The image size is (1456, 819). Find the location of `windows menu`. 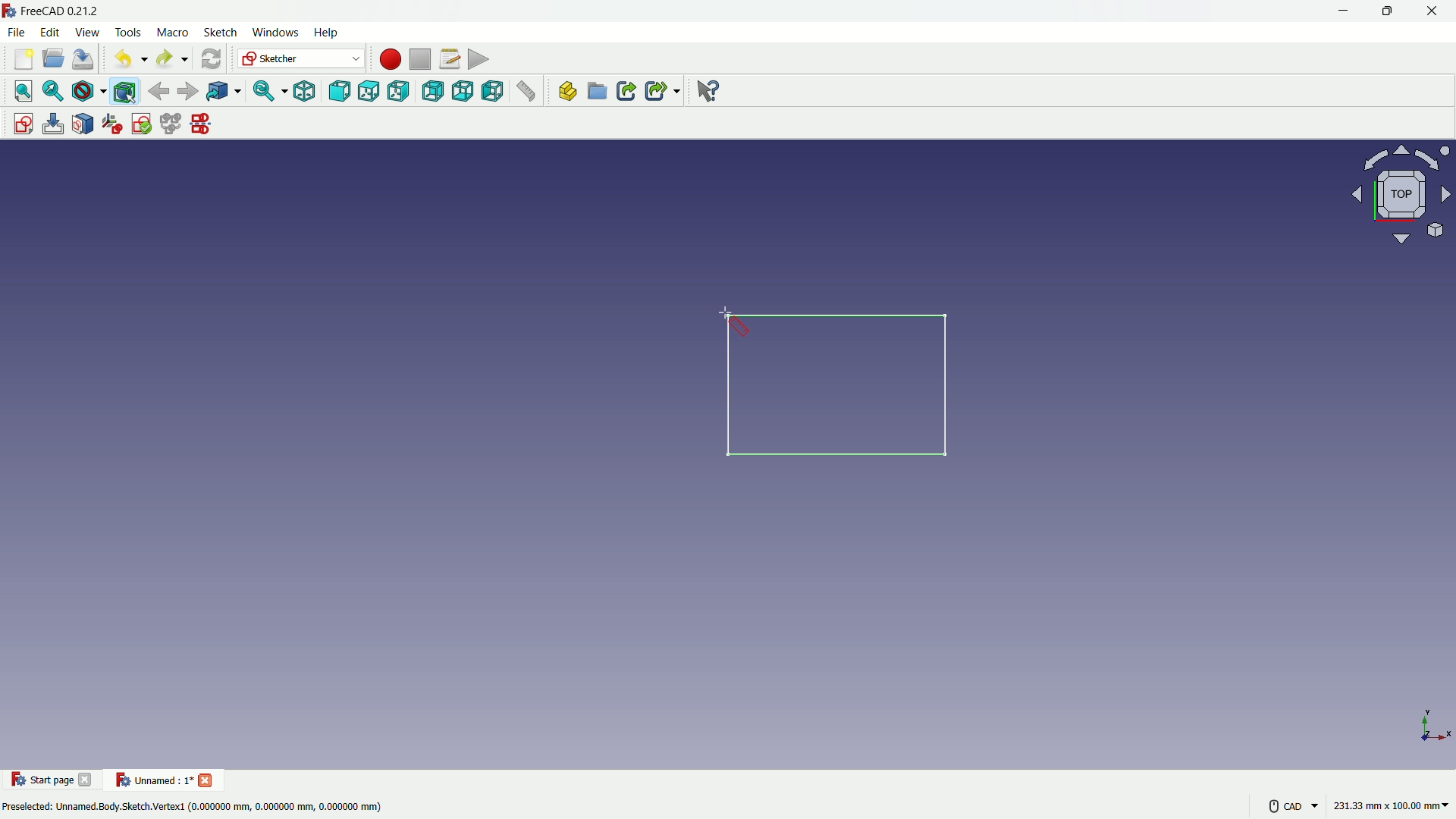

windows menu is located at coordinates (275, 32).